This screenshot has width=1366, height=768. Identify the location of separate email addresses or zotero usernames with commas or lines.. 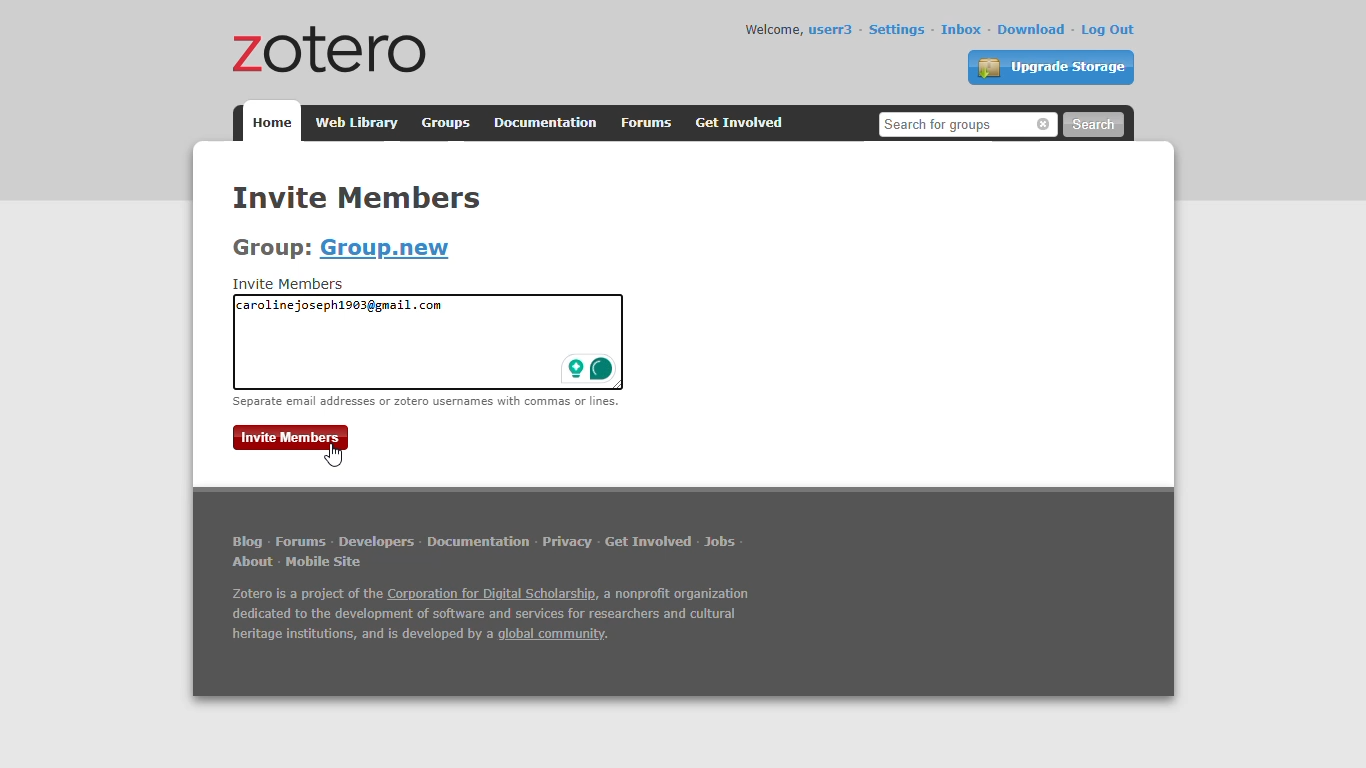
(426, 401).